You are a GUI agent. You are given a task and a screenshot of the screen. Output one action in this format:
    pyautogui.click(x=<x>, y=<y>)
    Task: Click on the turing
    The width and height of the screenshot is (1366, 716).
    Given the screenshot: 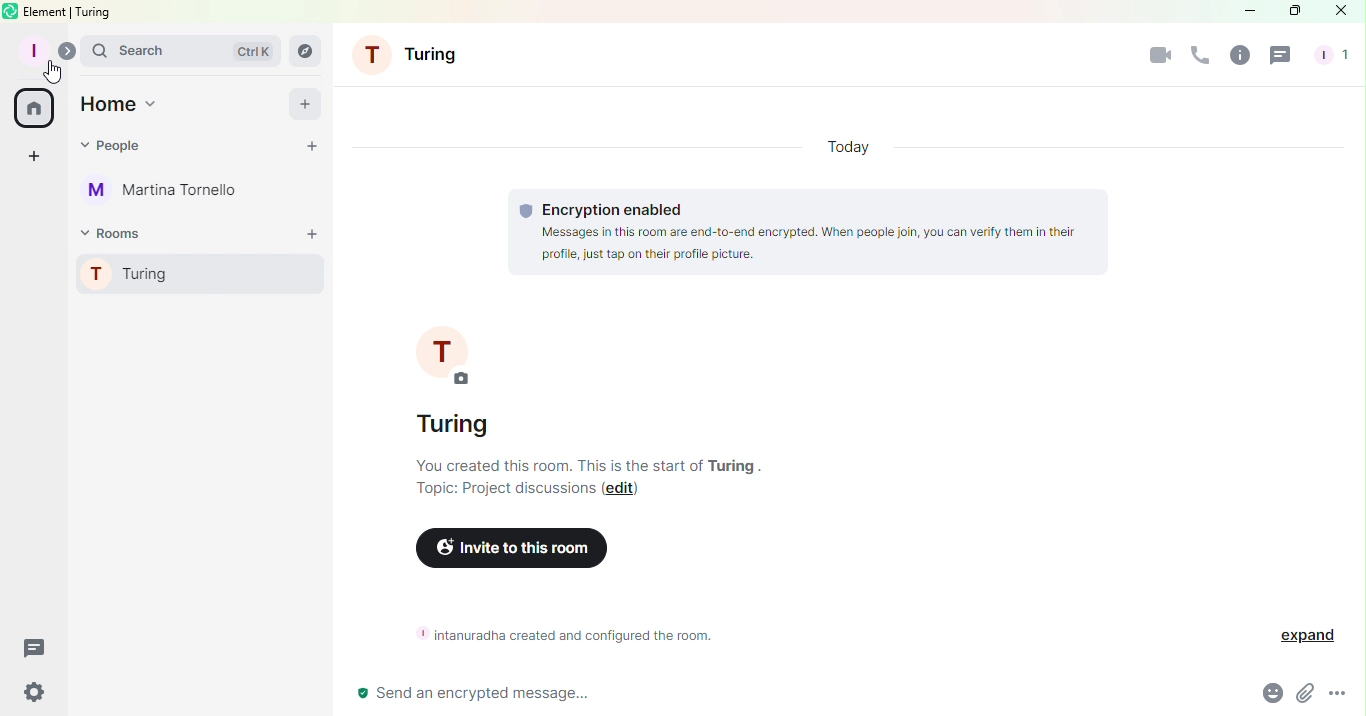 What is the action you would take?
    pyautogui.click(x=732, y=465)
    